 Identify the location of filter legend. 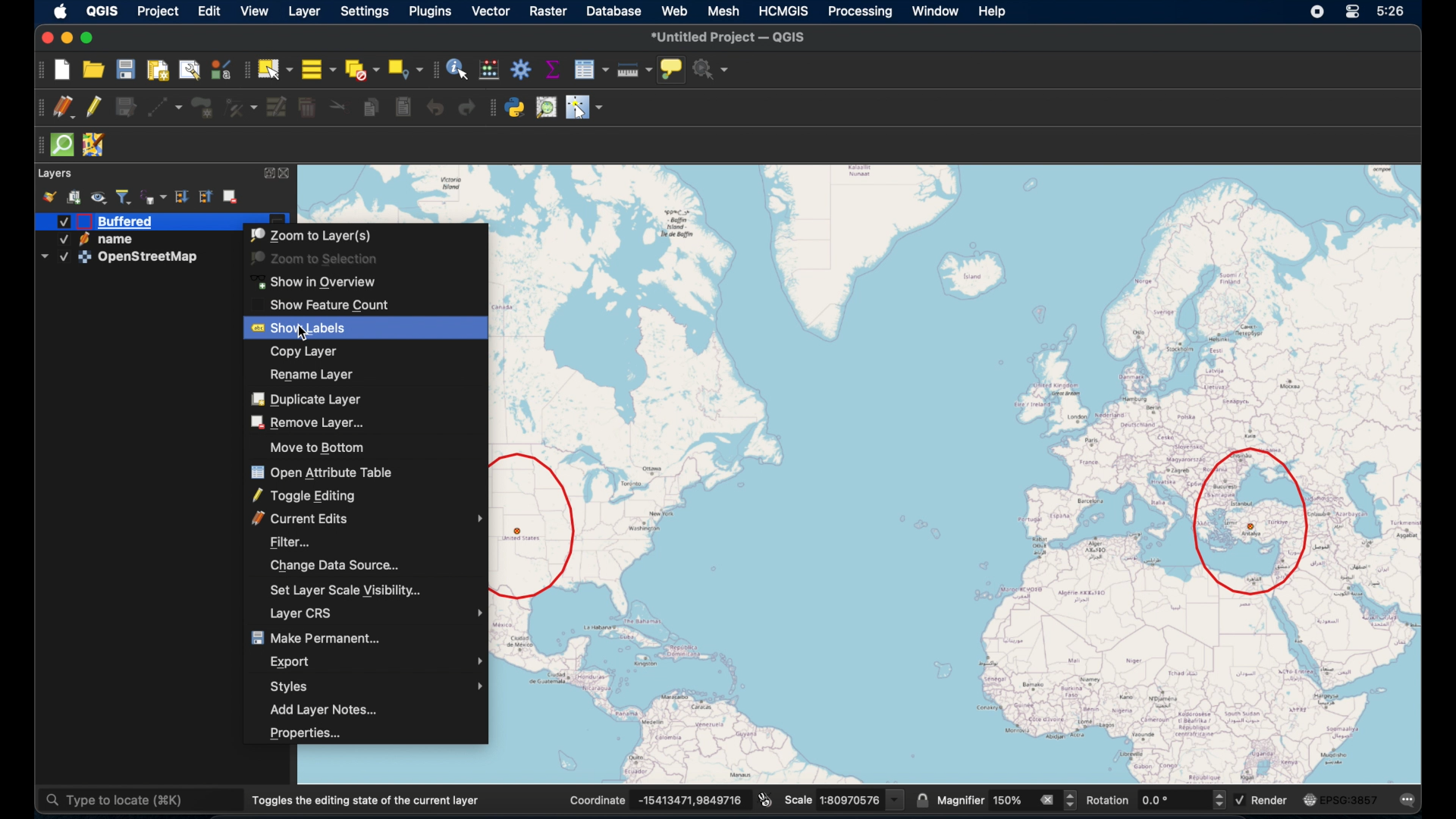
(124, 196).